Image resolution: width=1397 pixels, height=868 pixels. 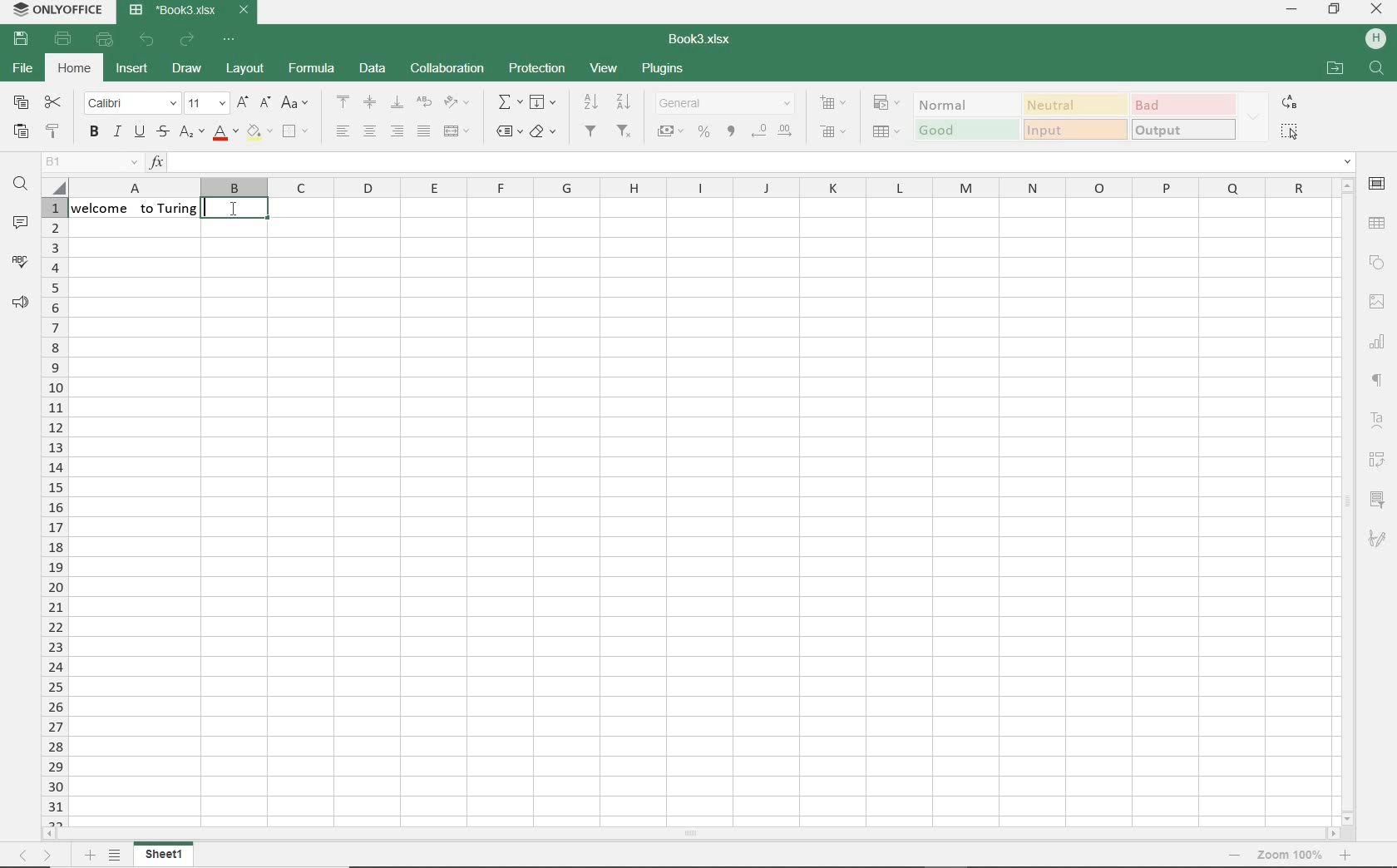 I want to click on zoom out, so click(x=1288, y=855).